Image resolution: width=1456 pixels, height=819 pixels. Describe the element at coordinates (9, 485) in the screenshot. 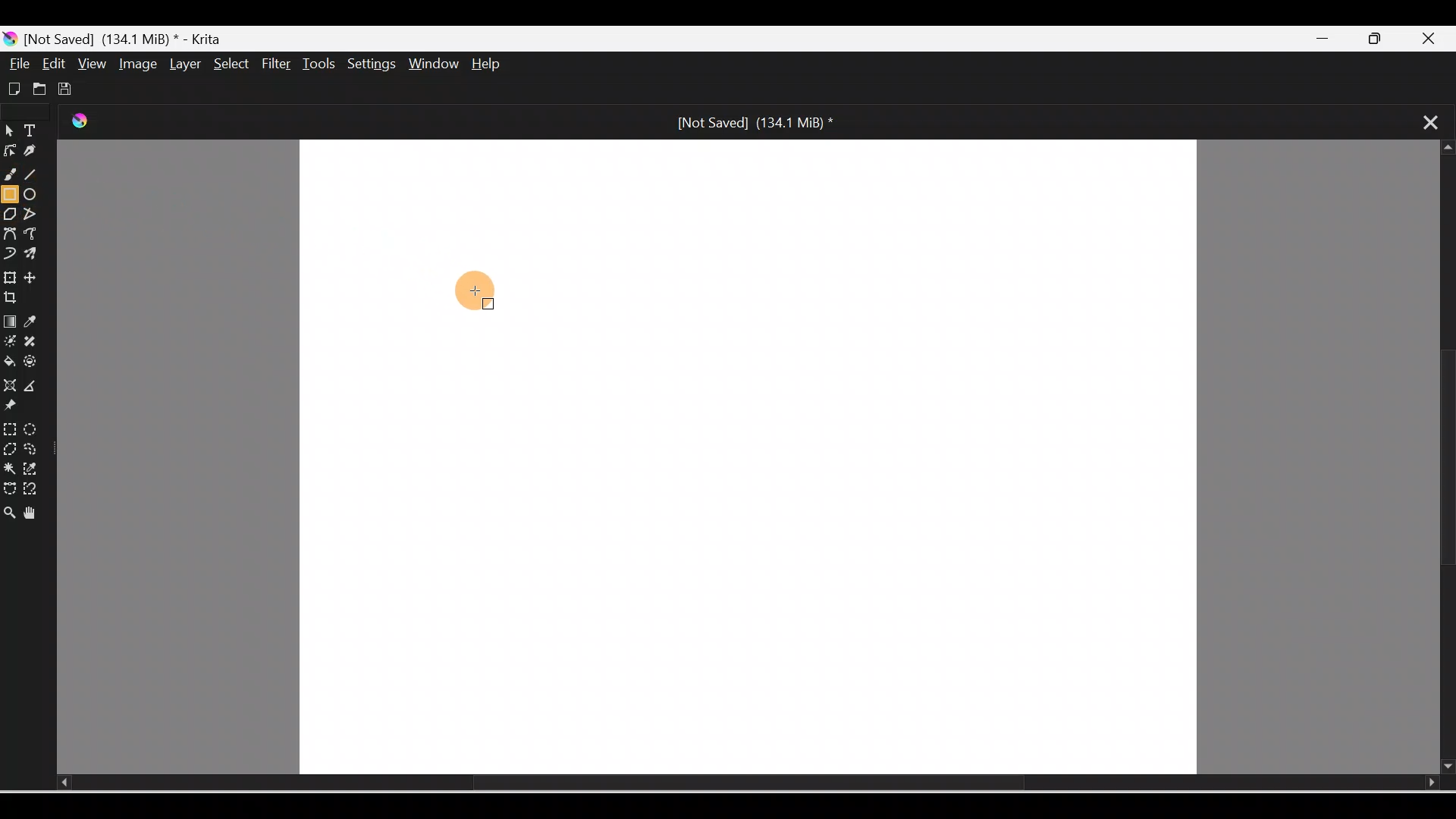

I see `Bezier curve selection tool` at that location.